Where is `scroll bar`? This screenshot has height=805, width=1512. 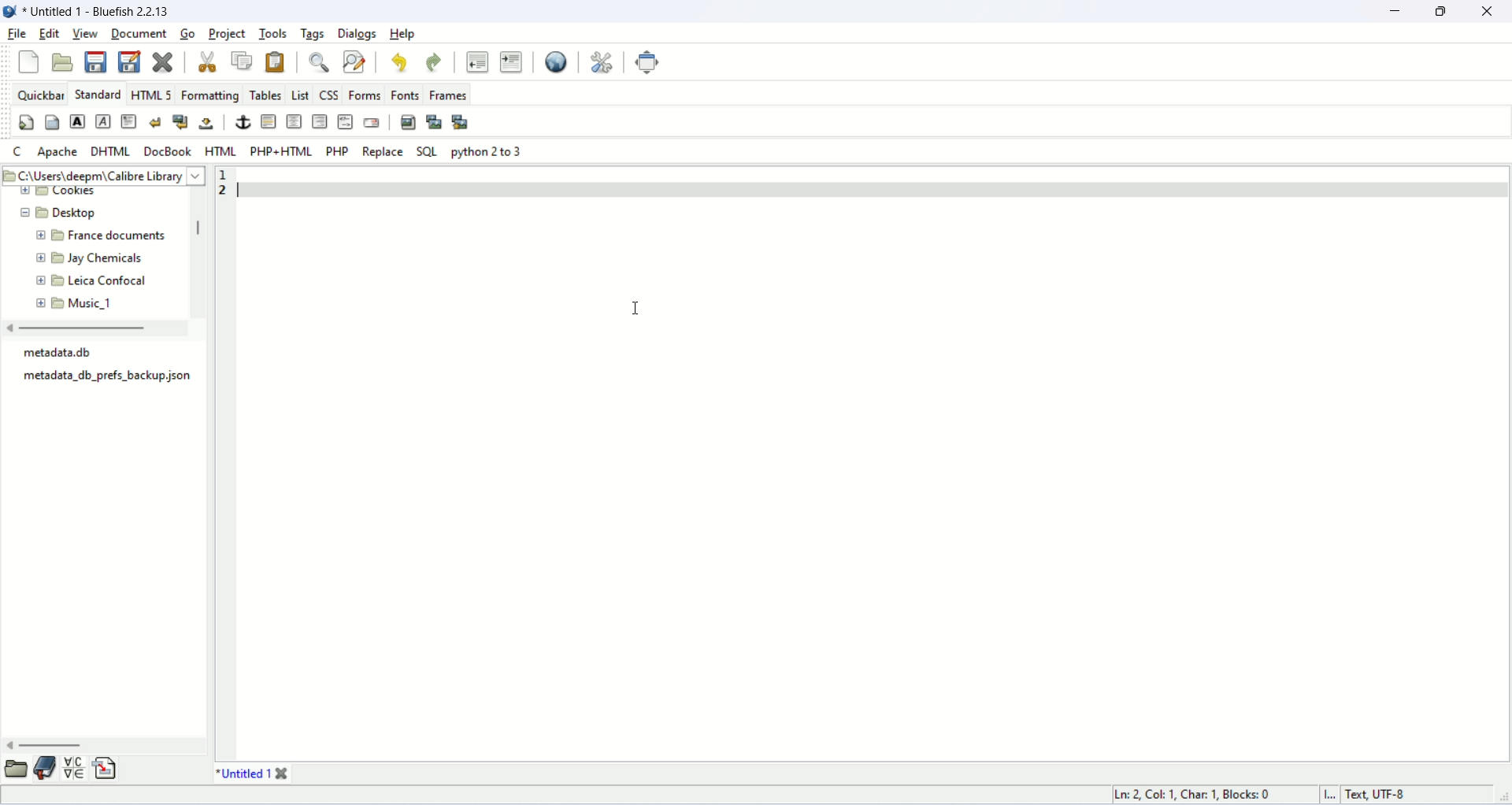
scroll bar is located at coordinates (198, 250).